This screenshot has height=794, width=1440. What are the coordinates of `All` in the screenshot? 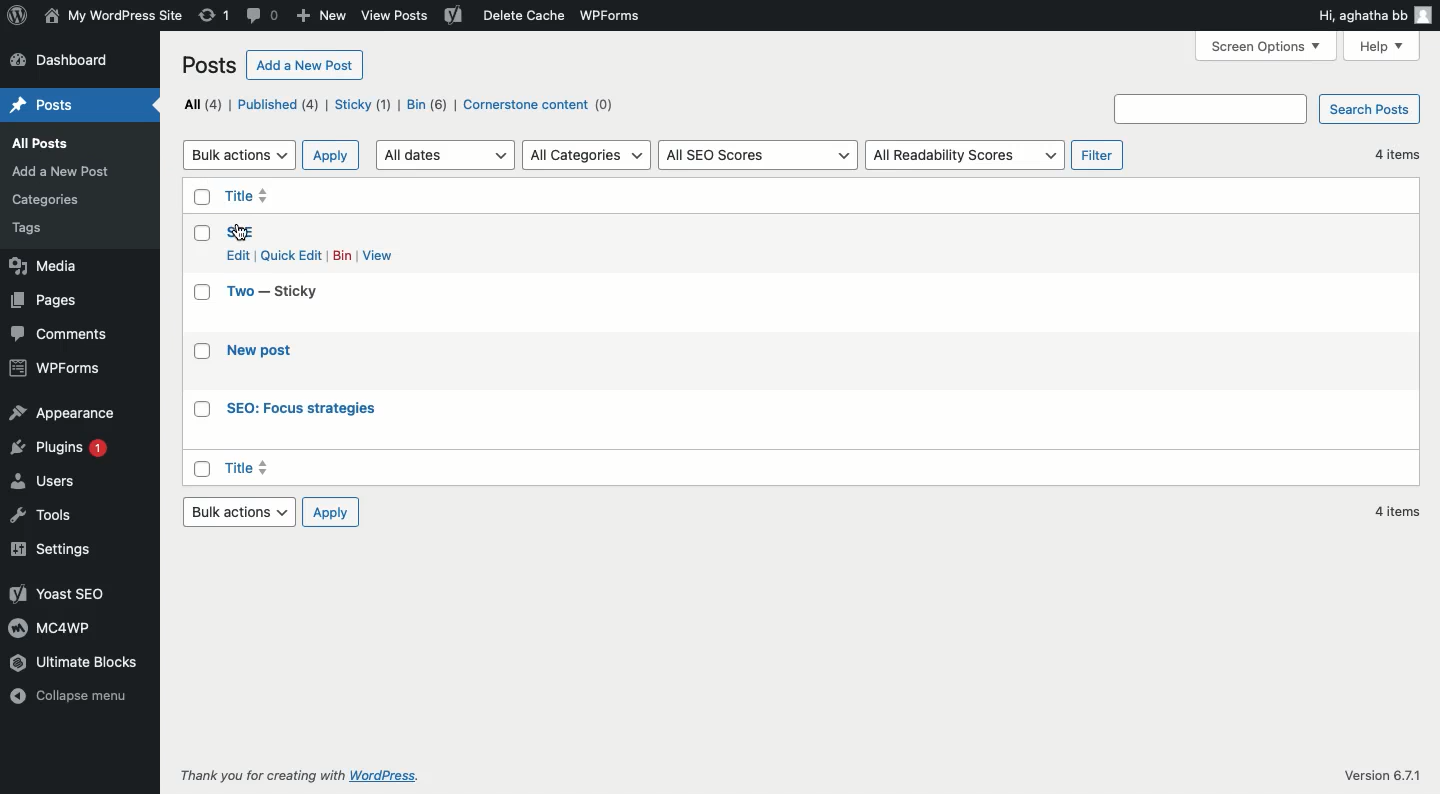 It's located at (202, 105).